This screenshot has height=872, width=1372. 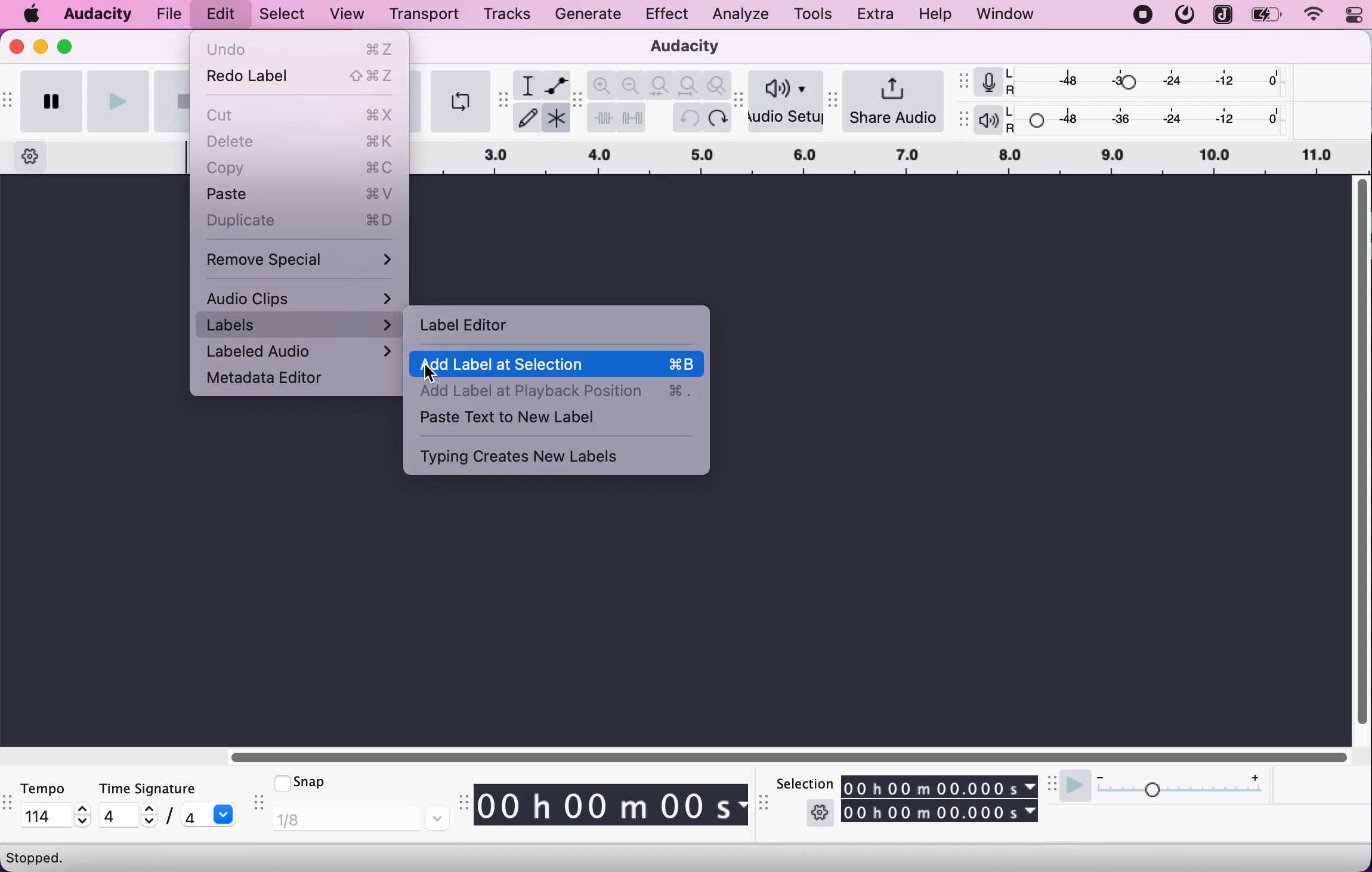 I want to click on 1/8, so click(x=360, y=820).